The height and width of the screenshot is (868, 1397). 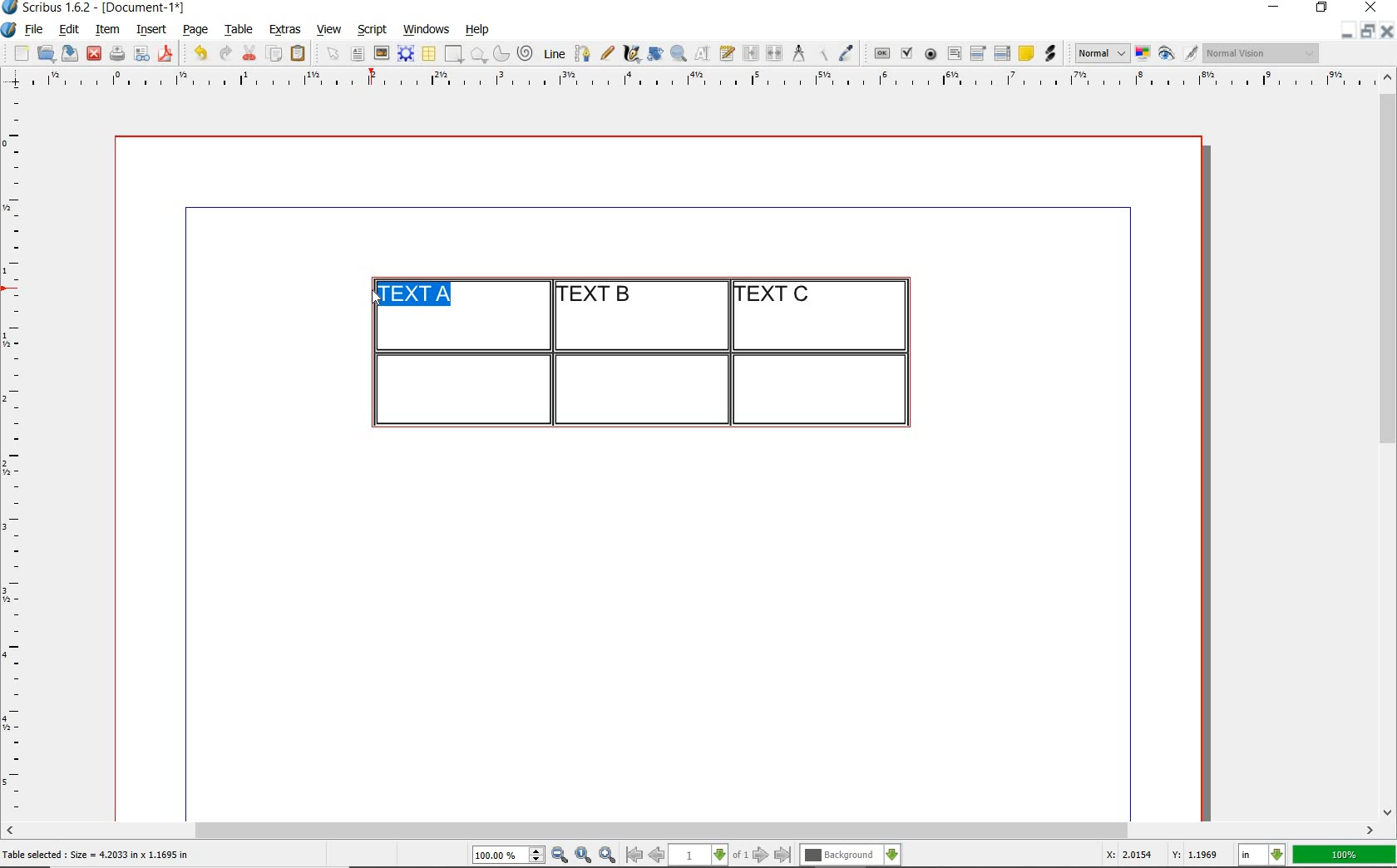 I want to click on pdf check box, so click(x=906, y=54).